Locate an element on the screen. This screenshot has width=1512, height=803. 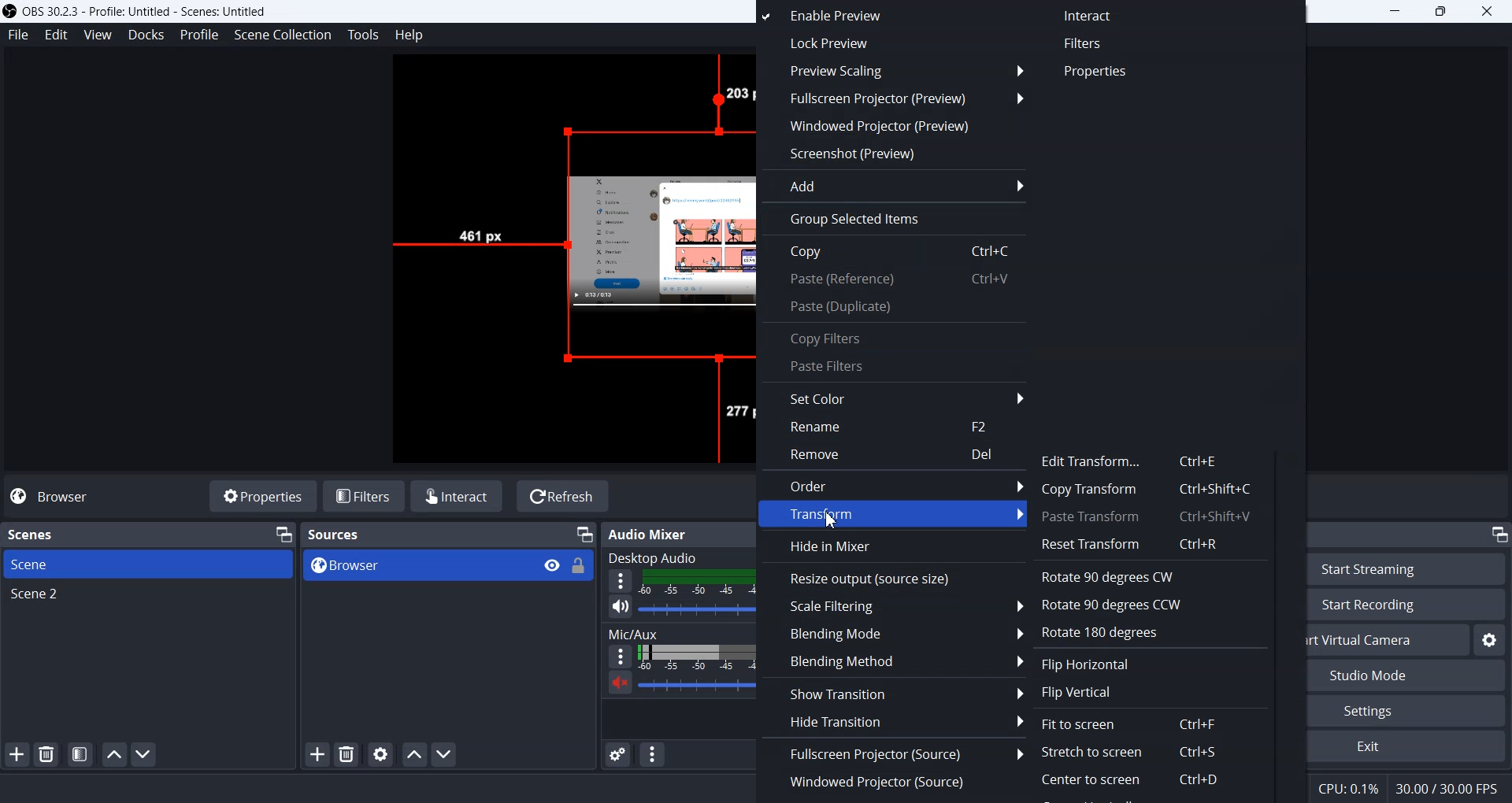
Remove selected sources is located at coordinates (346, 754).